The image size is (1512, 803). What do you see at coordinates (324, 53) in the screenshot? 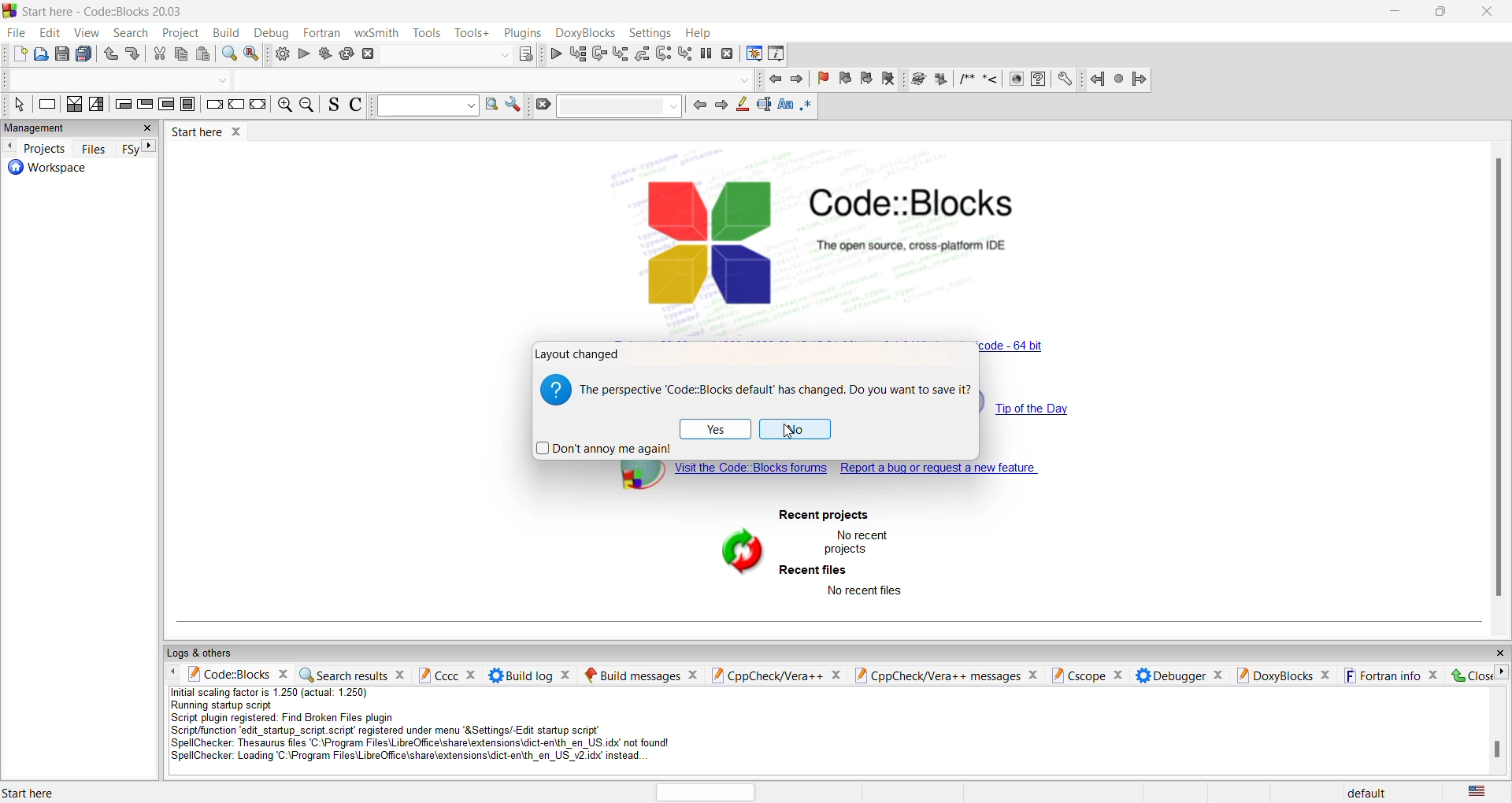
I see `build and run` at bounding box center [324, 53].